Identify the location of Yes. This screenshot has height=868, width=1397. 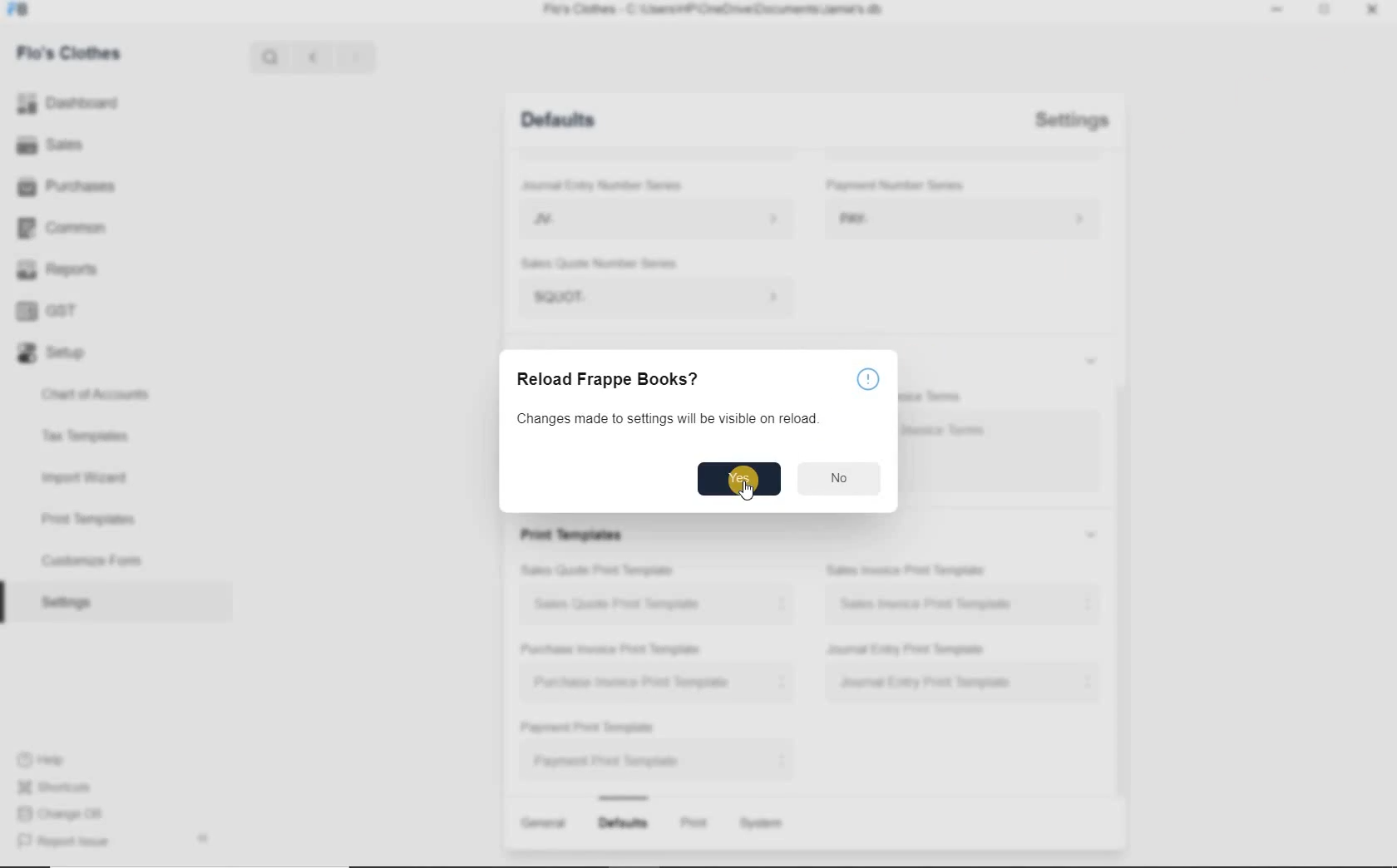
(738, 481).